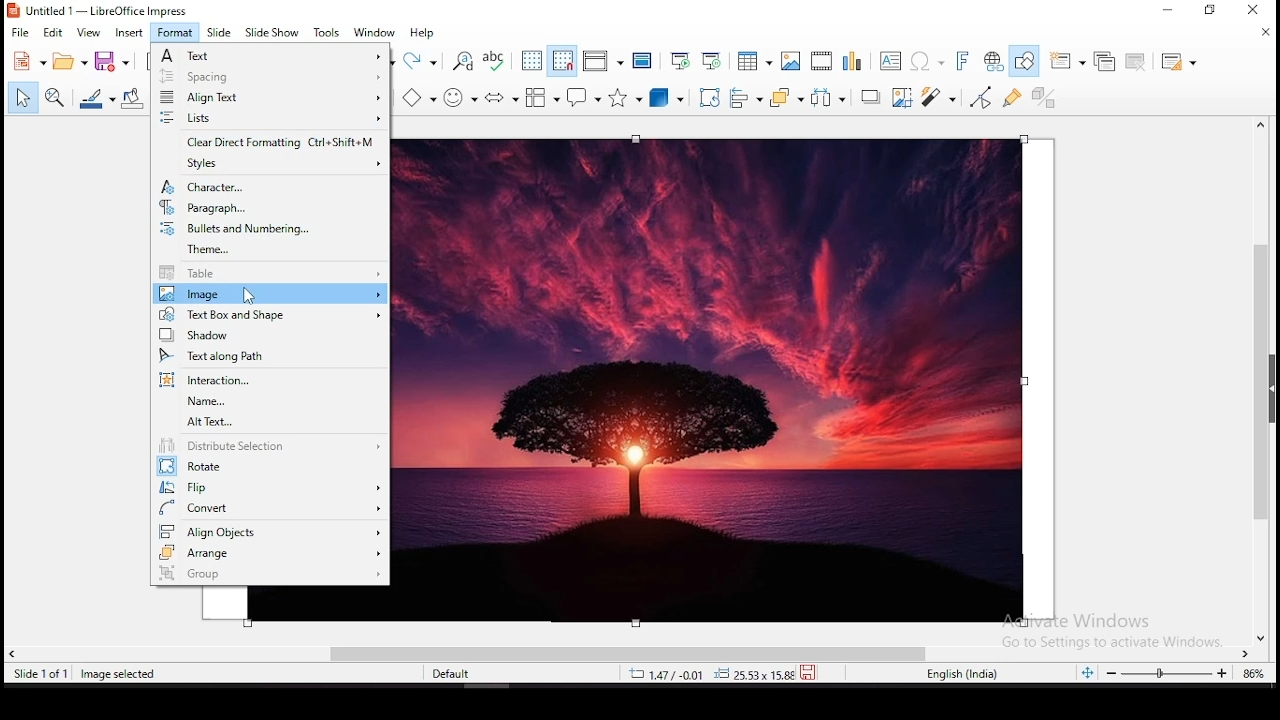  Describe the element at coordinates (175, 32) in the screenshot. I see `format` at that location.